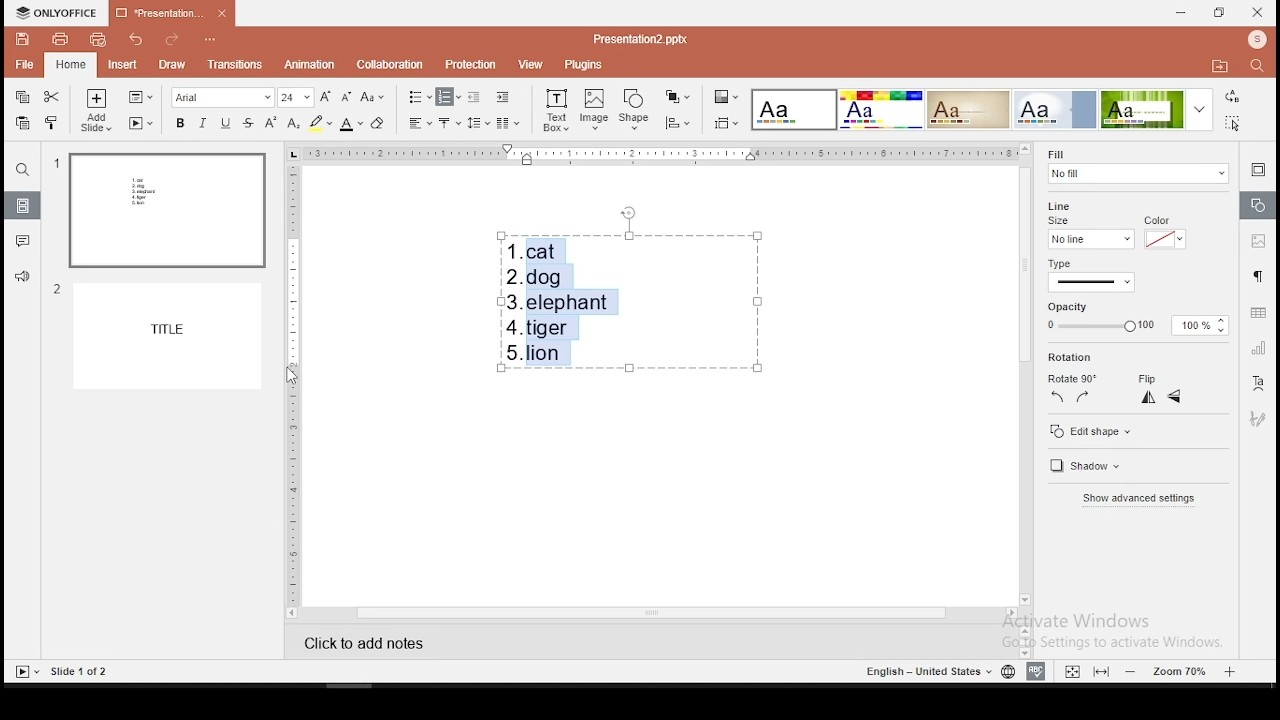 This screenshot has width=1280, height=720. Describe the element at coordinates (795, 110) in the screenshot. I see `theme ` at that location.